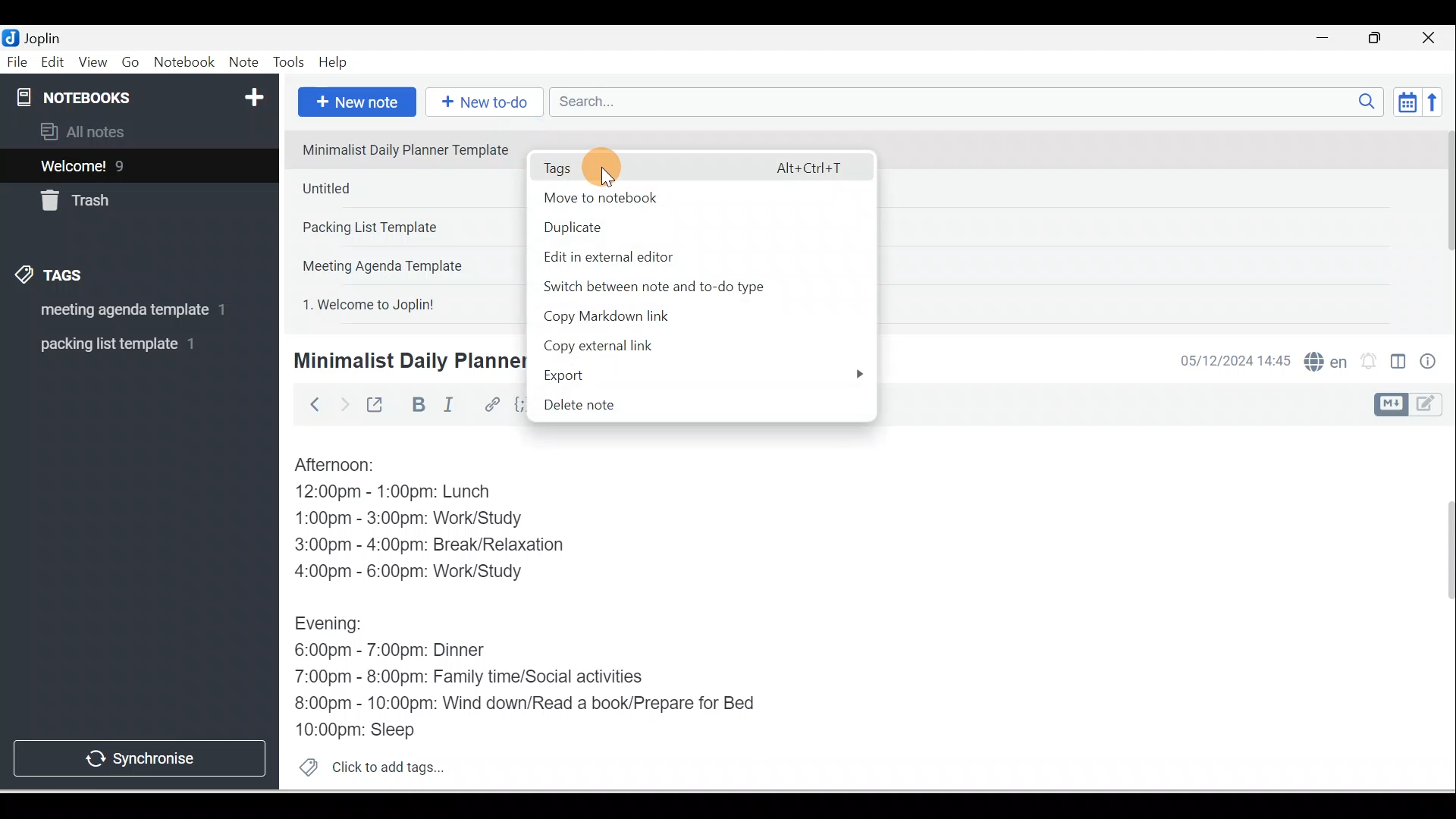 Image resolution: width=1456 pixels, height=819 pixels. I want to click on Delete note, so click(695, 406).